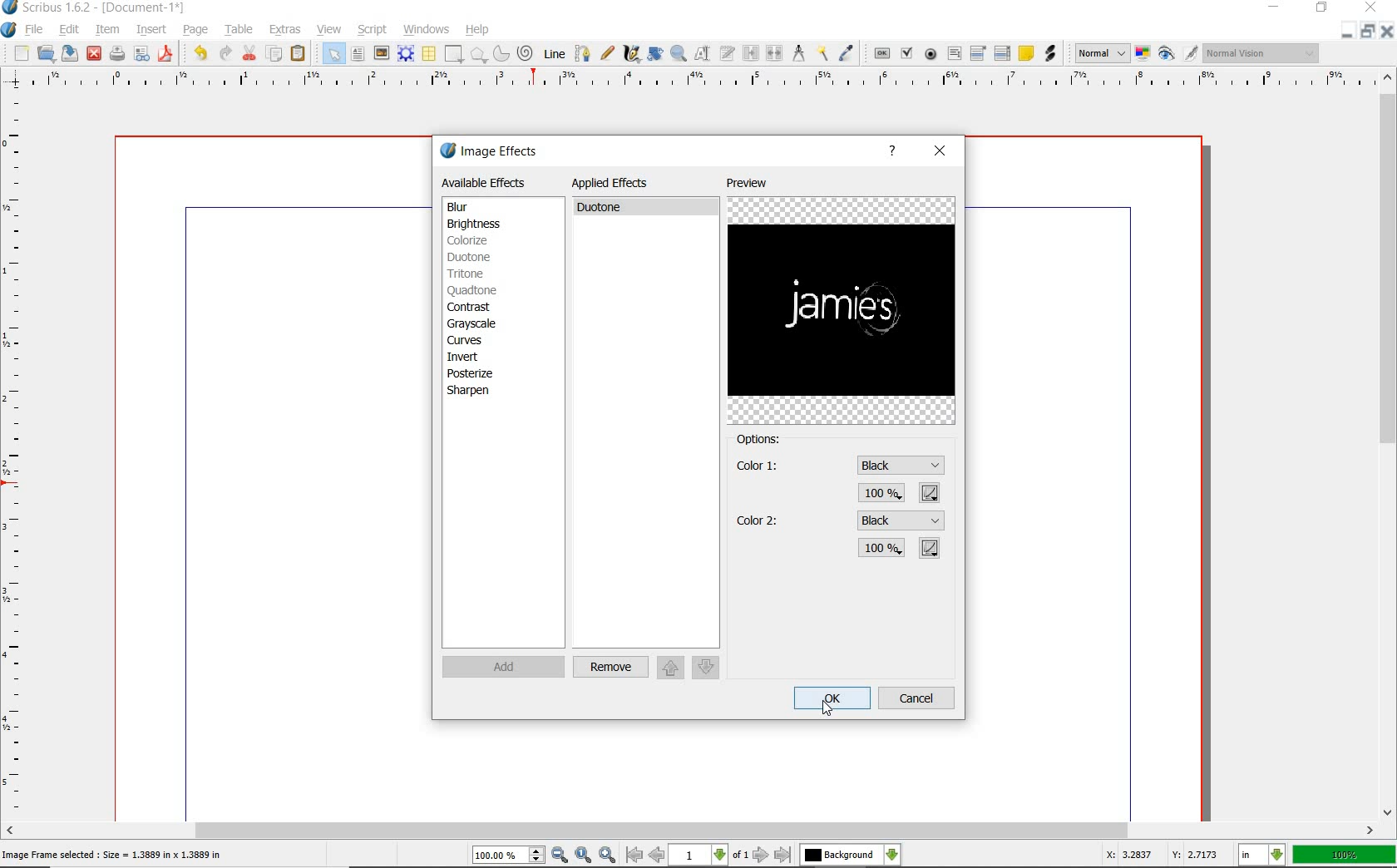 Image resolution: width=1397 pixels, height=868 pixels. I want to click on close, so click(939, 152).